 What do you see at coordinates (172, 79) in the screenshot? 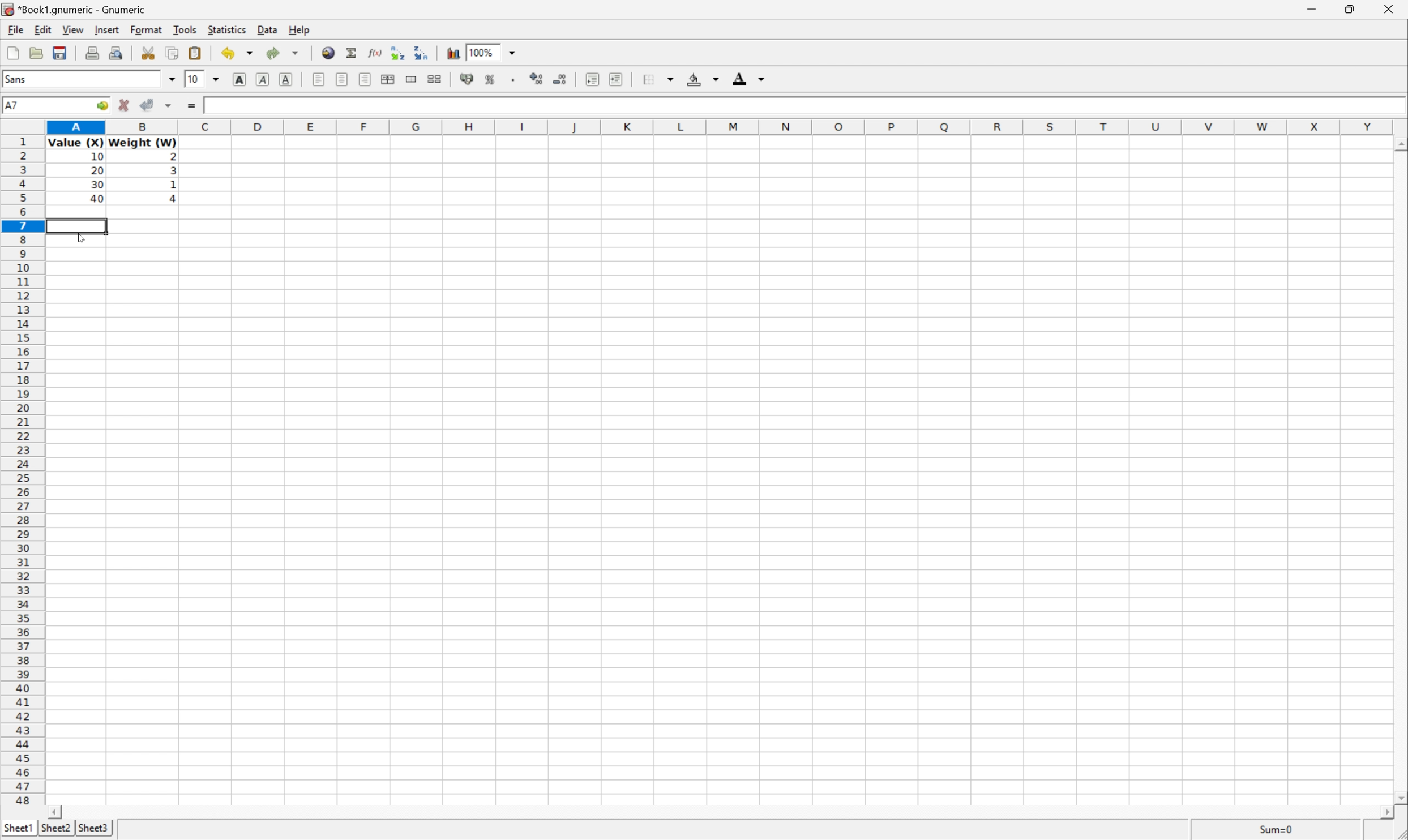
I see `Drop Down` at bounding box center [172, 79].